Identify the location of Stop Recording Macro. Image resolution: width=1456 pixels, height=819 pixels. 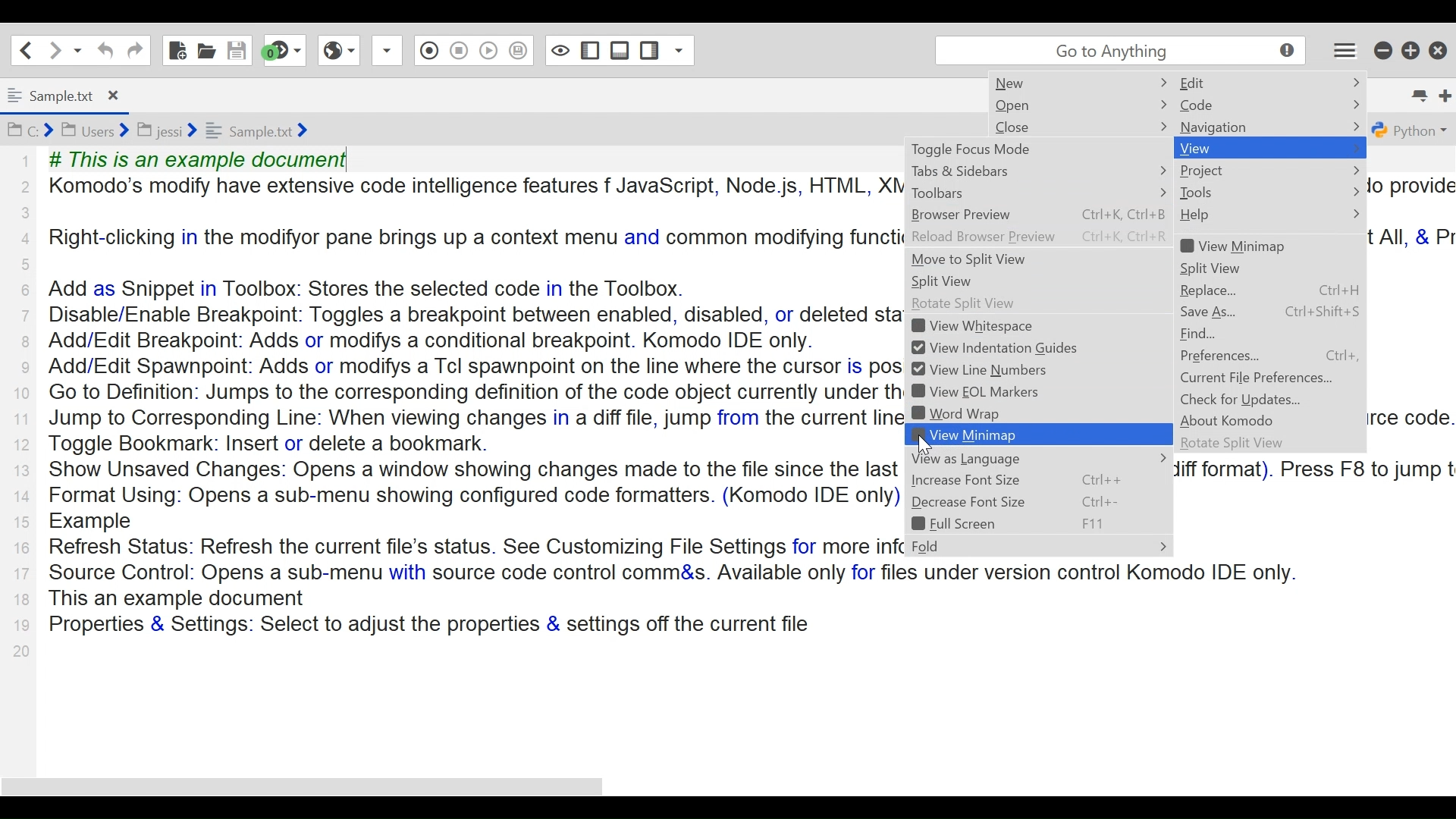
(428, 49).